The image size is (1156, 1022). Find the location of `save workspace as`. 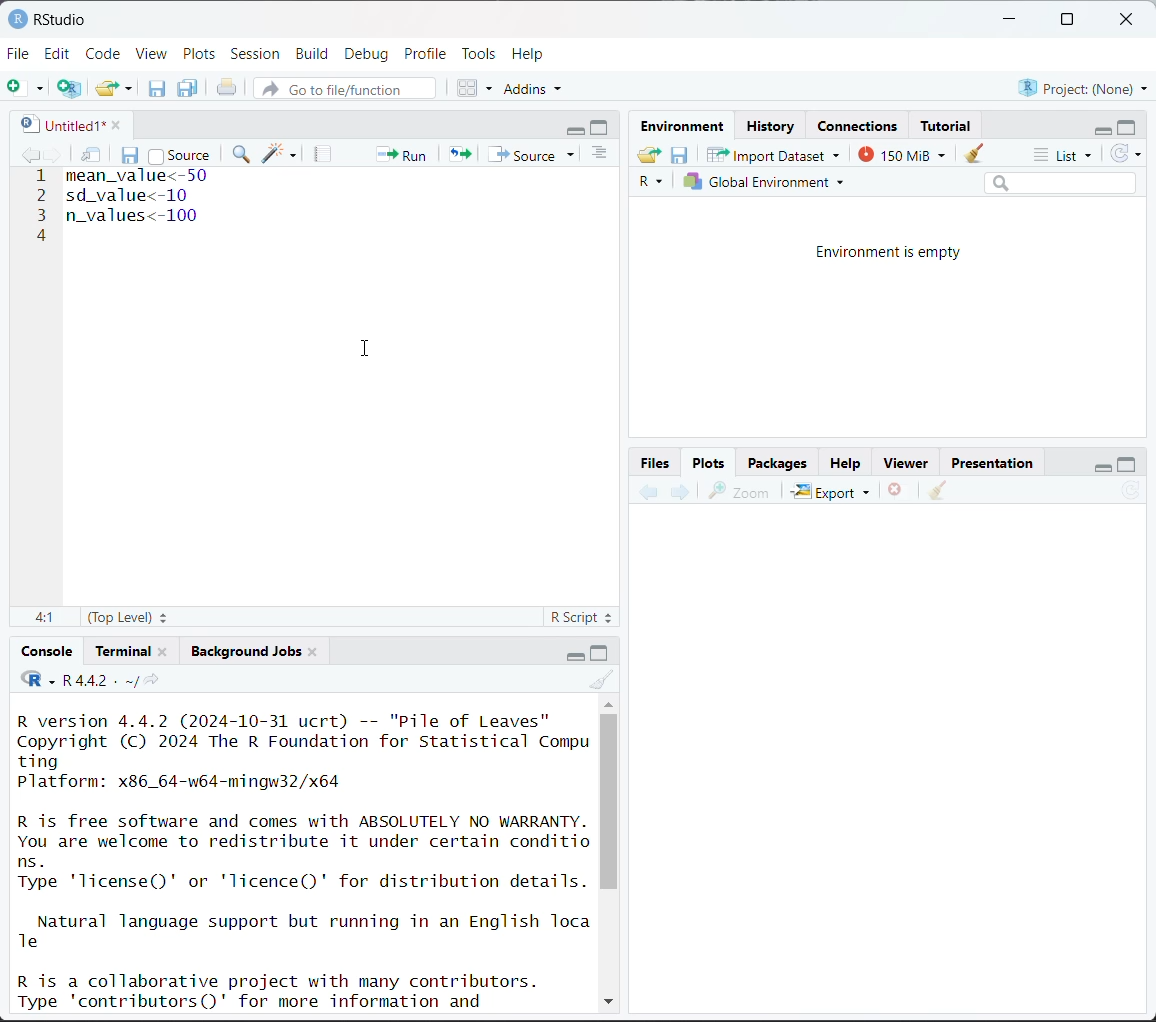

save workspace as is located at coordinates (680, 156).